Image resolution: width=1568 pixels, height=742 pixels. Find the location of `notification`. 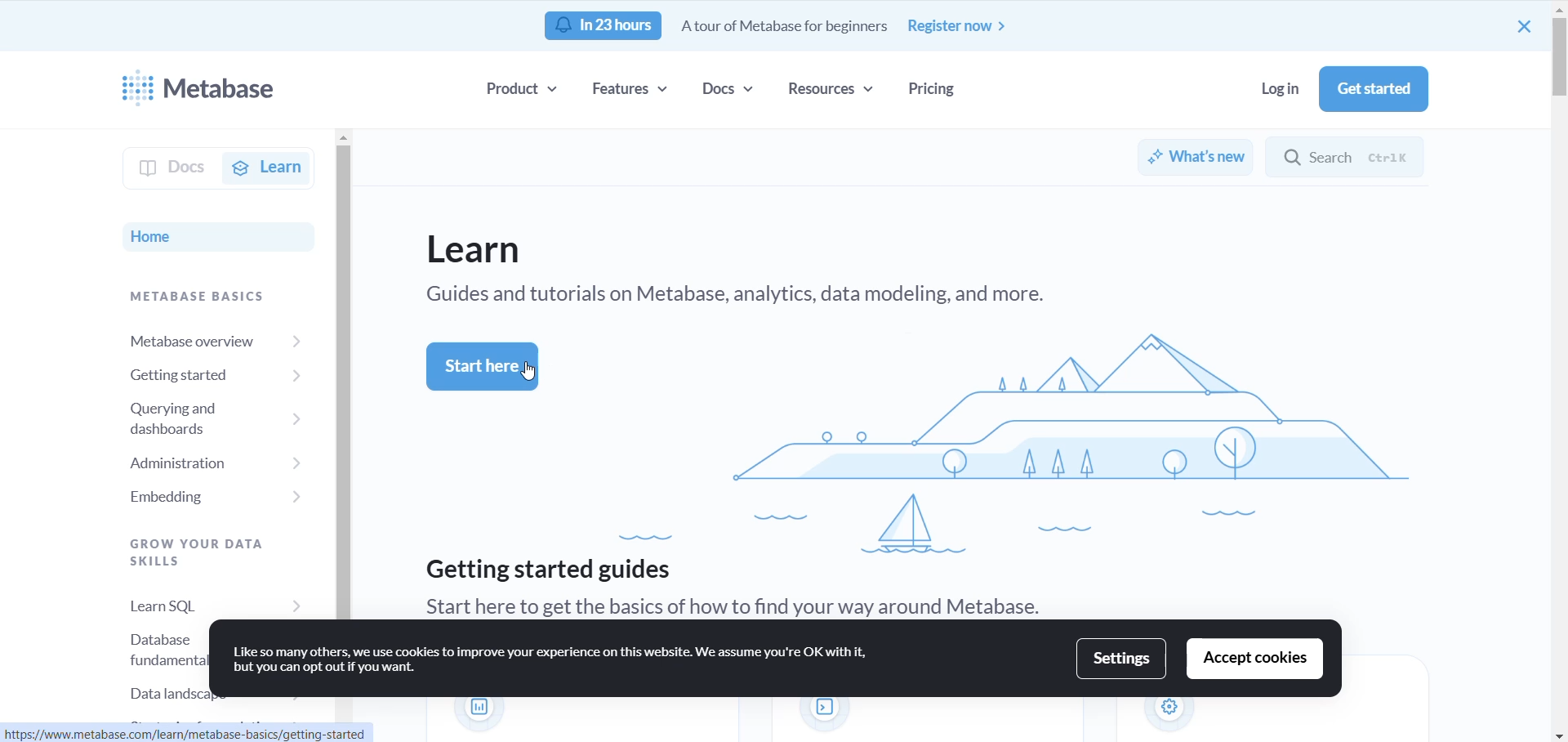

notification is located at coordinates (604, 26).